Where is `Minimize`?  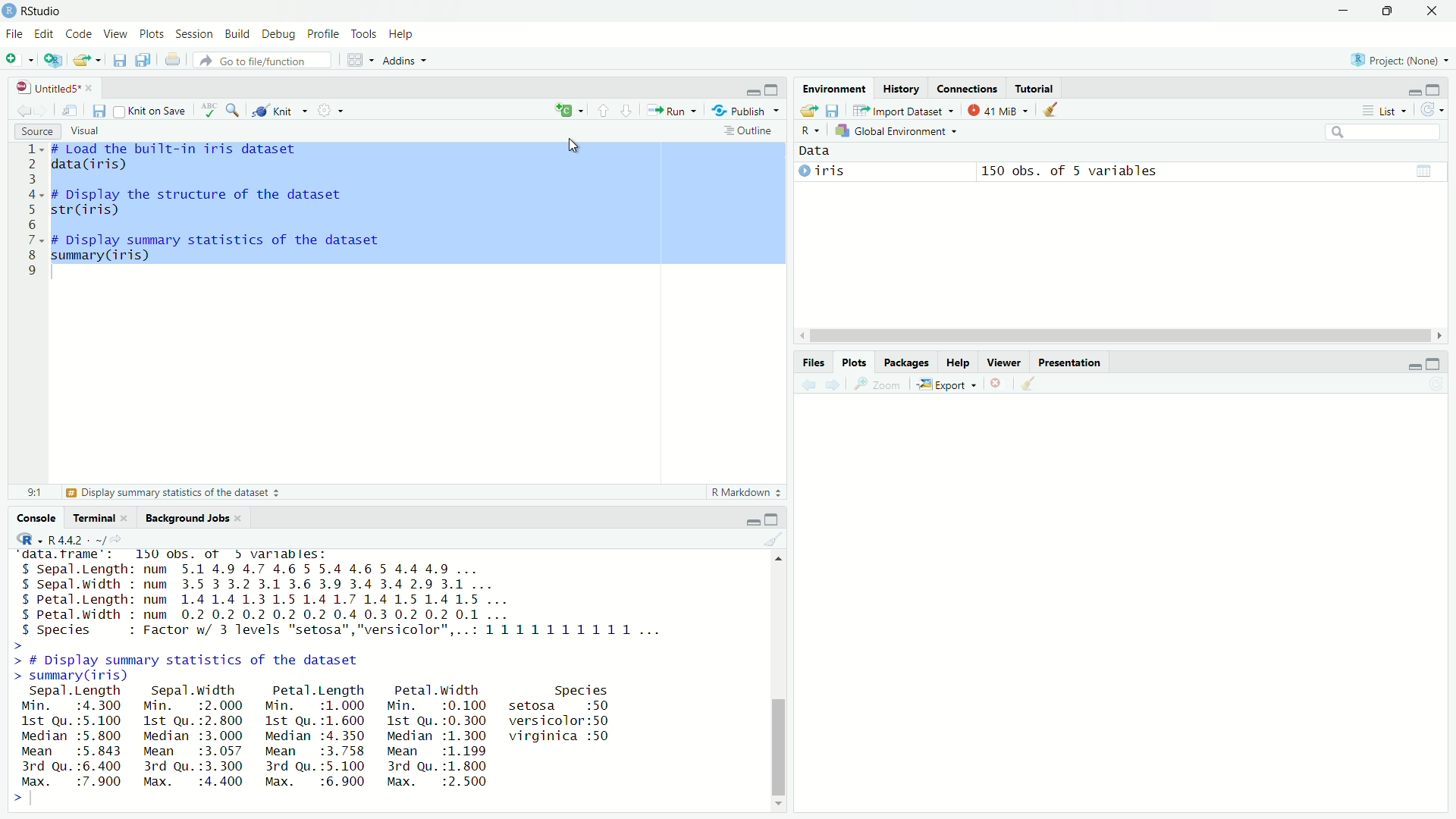
Minimize is located at coordinates (1345, 11).